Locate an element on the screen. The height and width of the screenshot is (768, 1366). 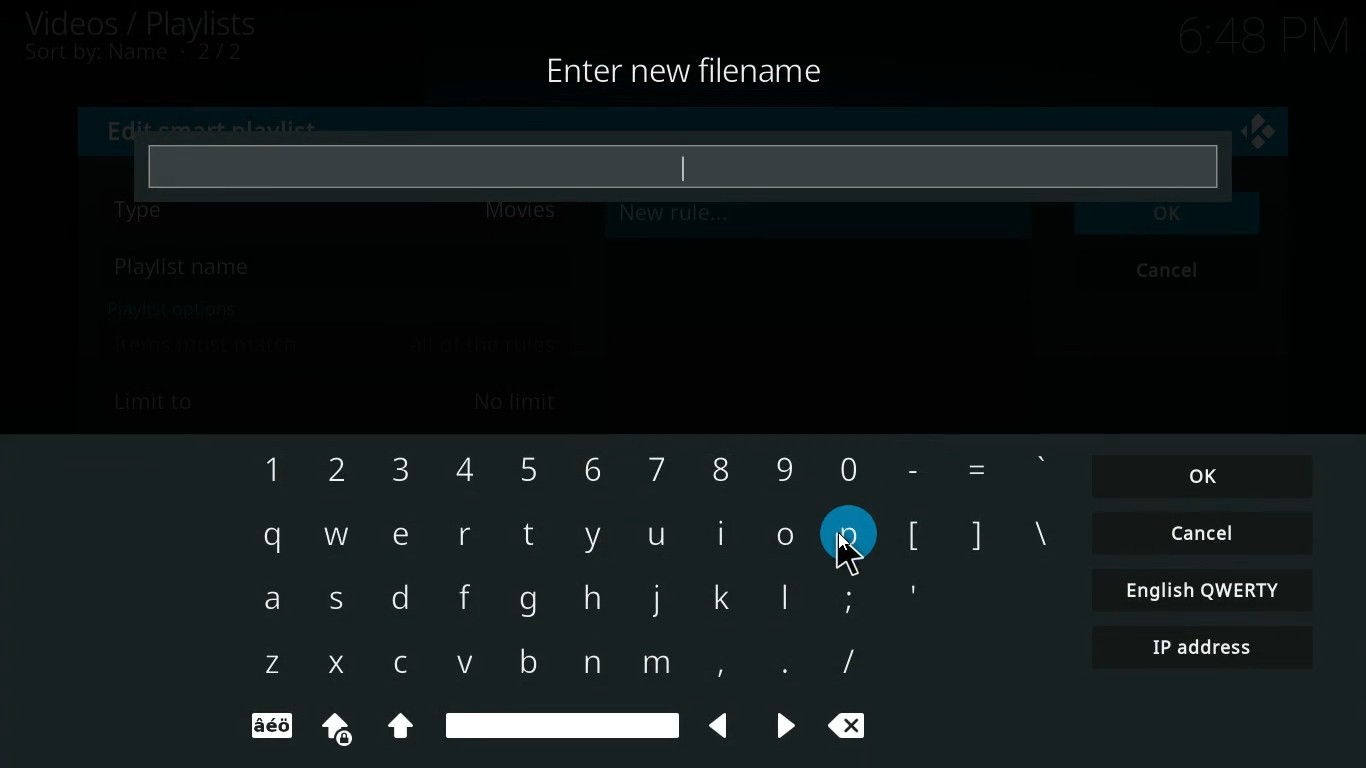
4 is located at coordinates (458, 471).